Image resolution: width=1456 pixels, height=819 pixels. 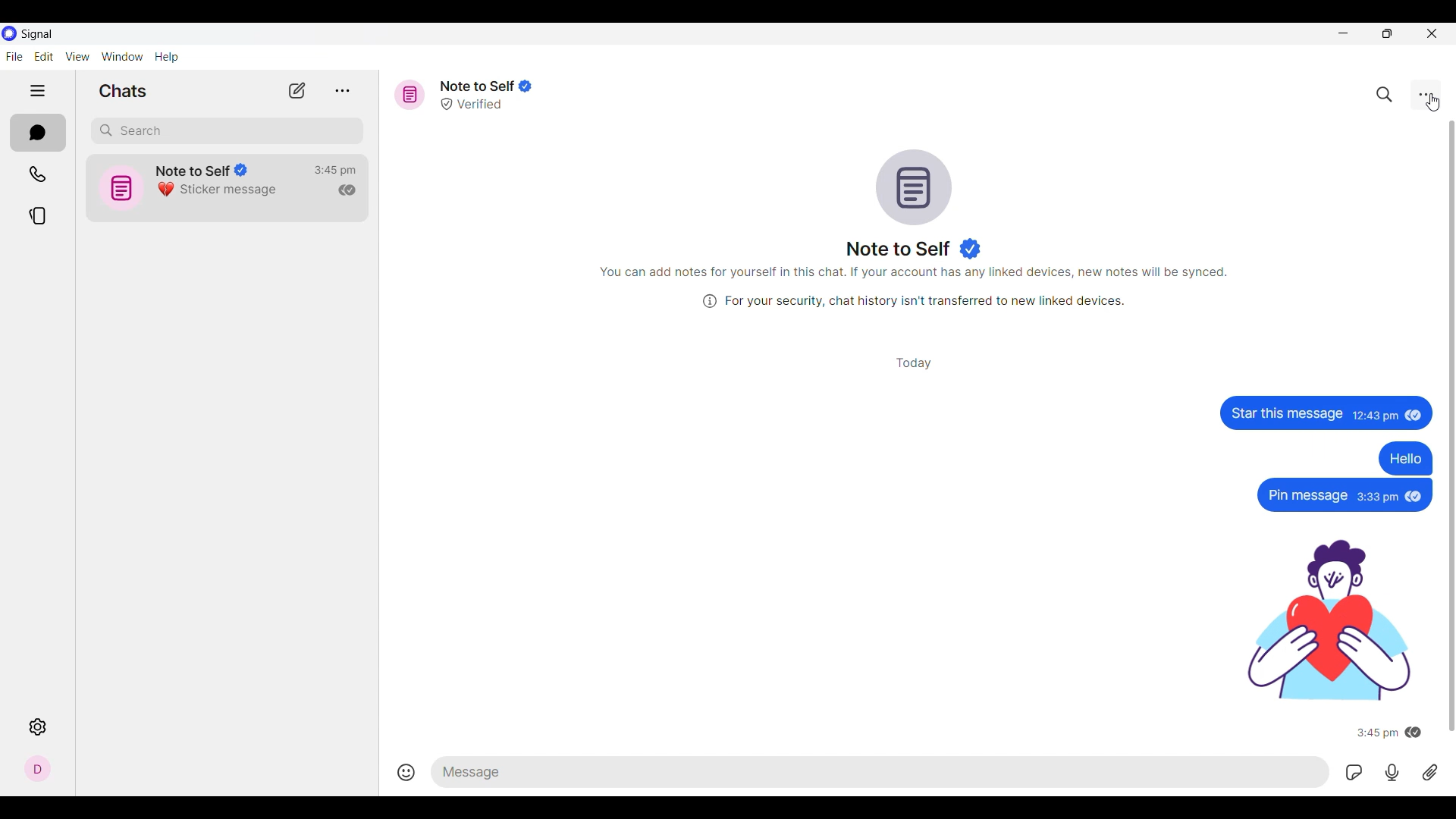 What do you see at coordinates (1413, 495) in the screenshot?
I see `seen` at bounding box center [1413, 495].